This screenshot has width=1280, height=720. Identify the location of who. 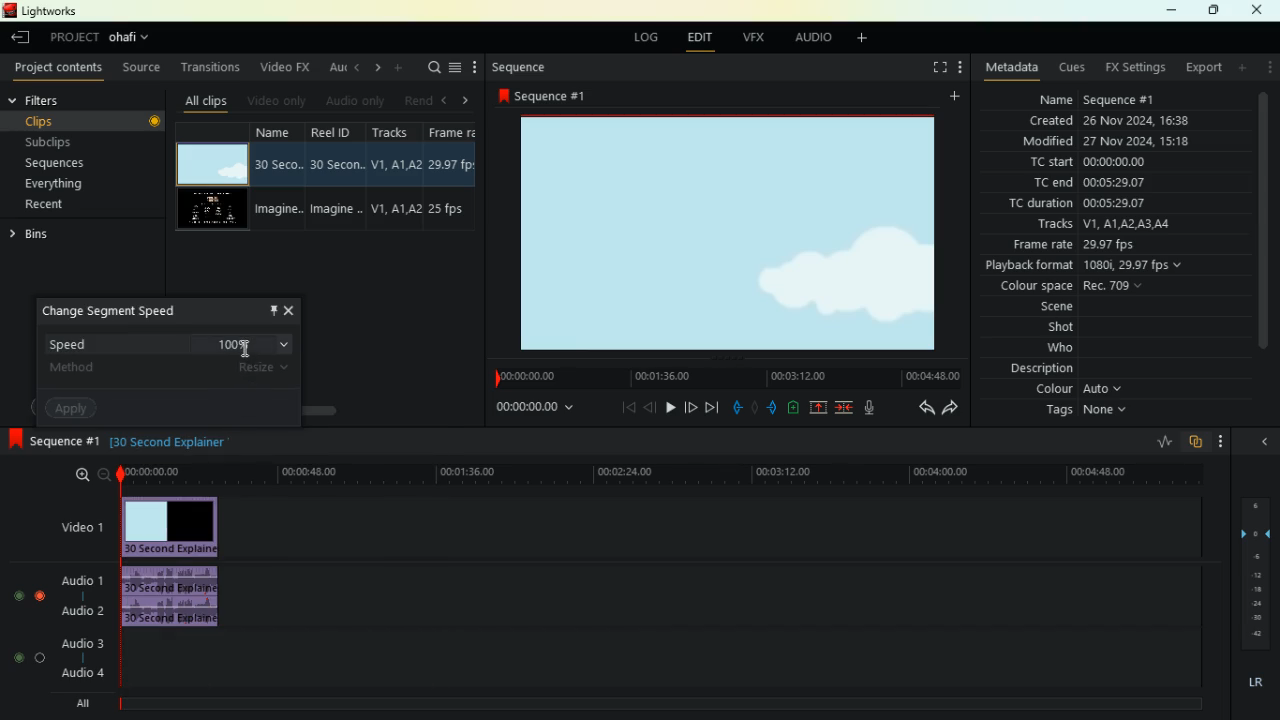
(1048, 349).